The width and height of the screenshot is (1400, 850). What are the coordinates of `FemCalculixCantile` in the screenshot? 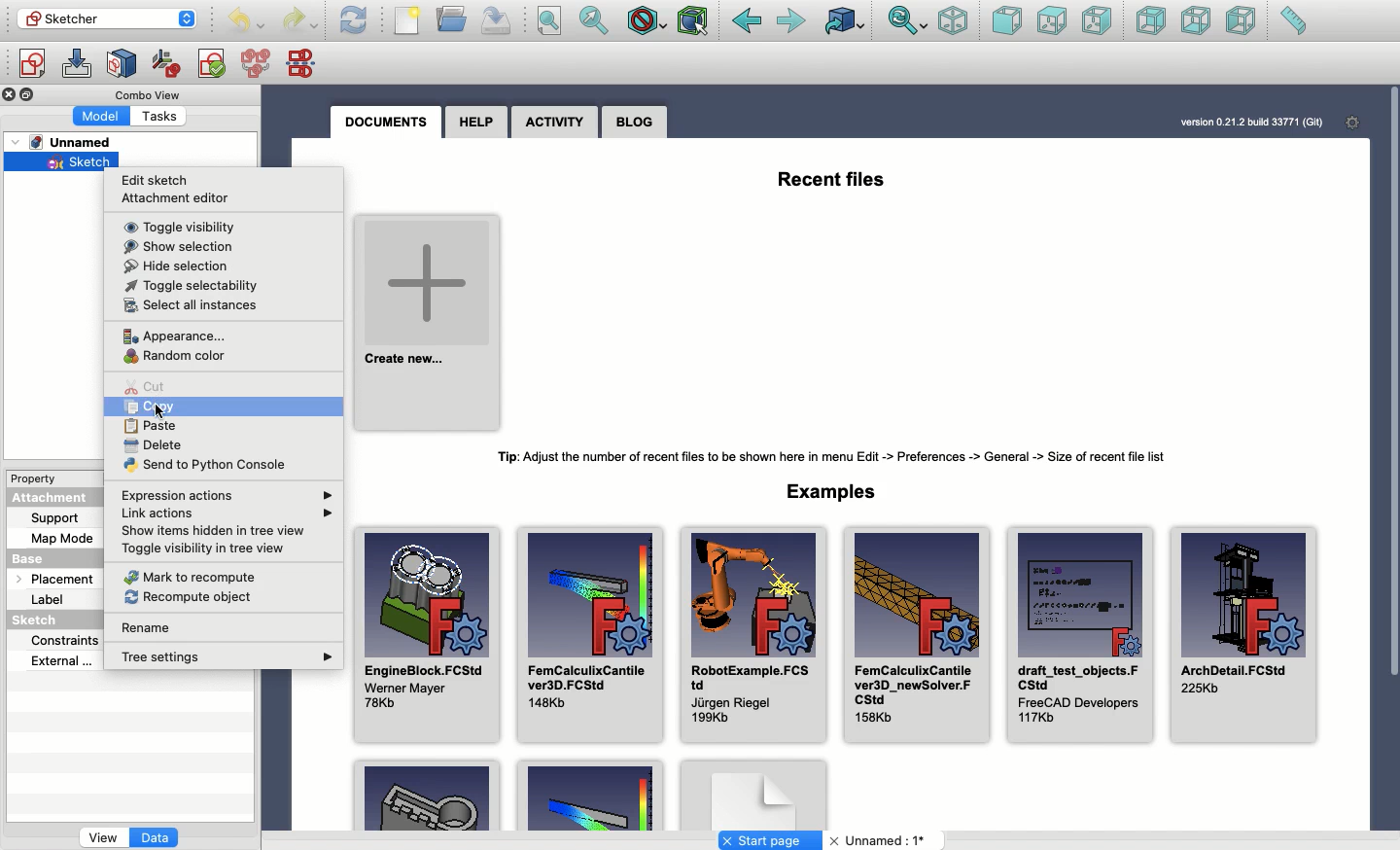 It's located at (915, 633).